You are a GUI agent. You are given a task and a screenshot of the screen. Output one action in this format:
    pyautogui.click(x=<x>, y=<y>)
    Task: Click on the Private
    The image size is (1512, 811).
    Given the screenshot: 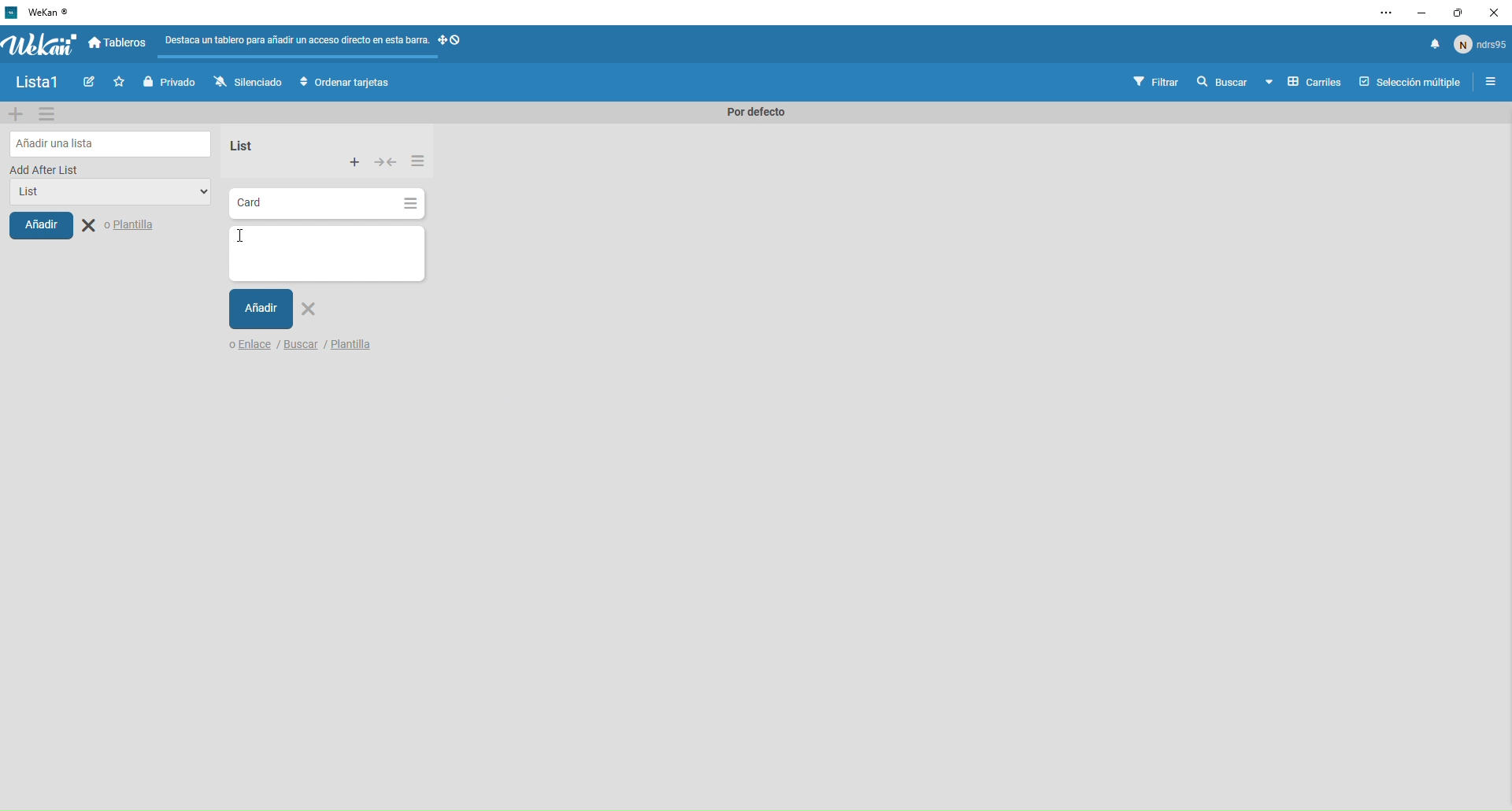 What is the action you would take?
    pyautogui.click(x=172, y=82)
    